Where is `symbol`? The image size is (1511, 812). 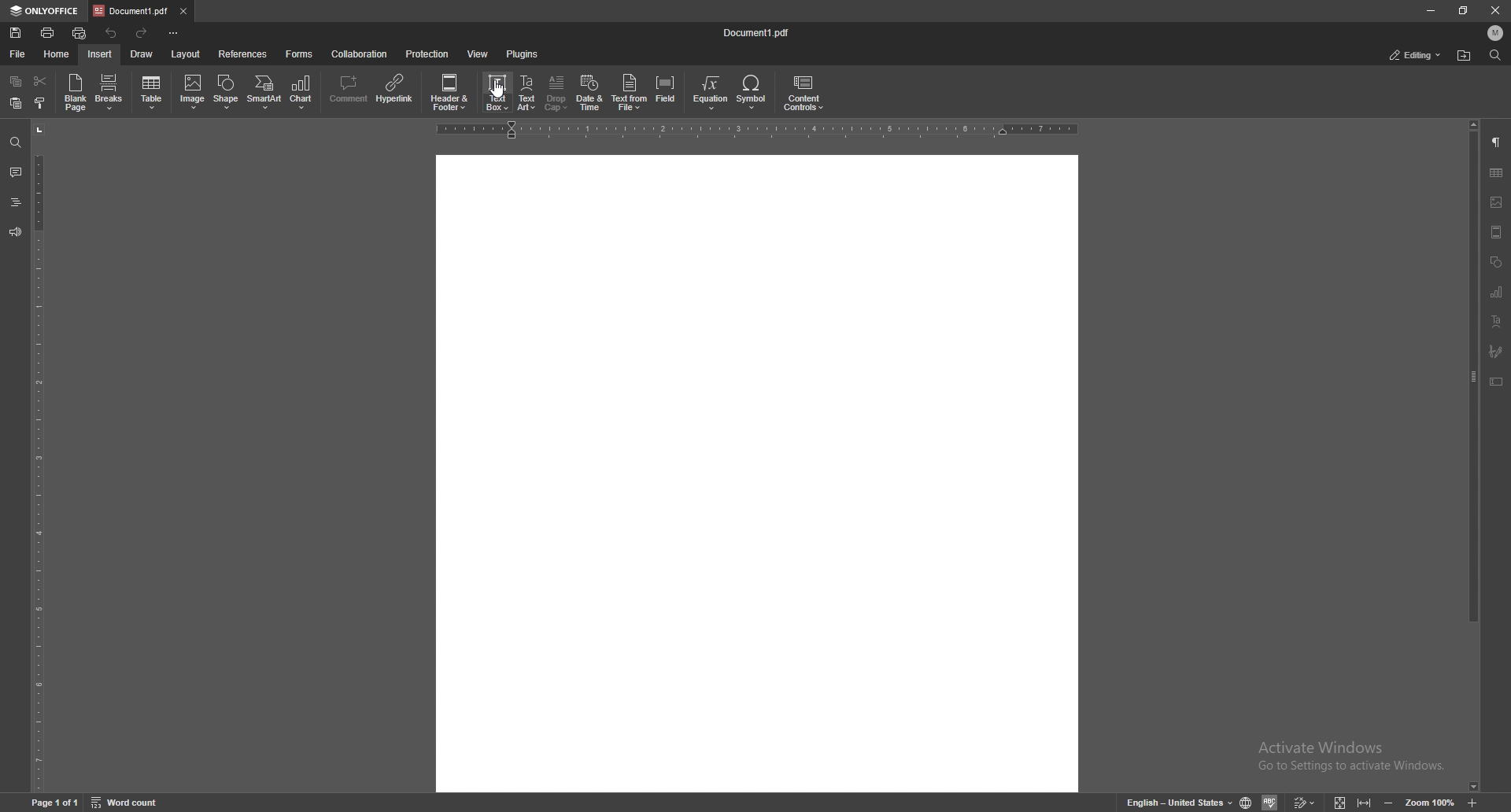
symbol is located at coordinates (753, 93).